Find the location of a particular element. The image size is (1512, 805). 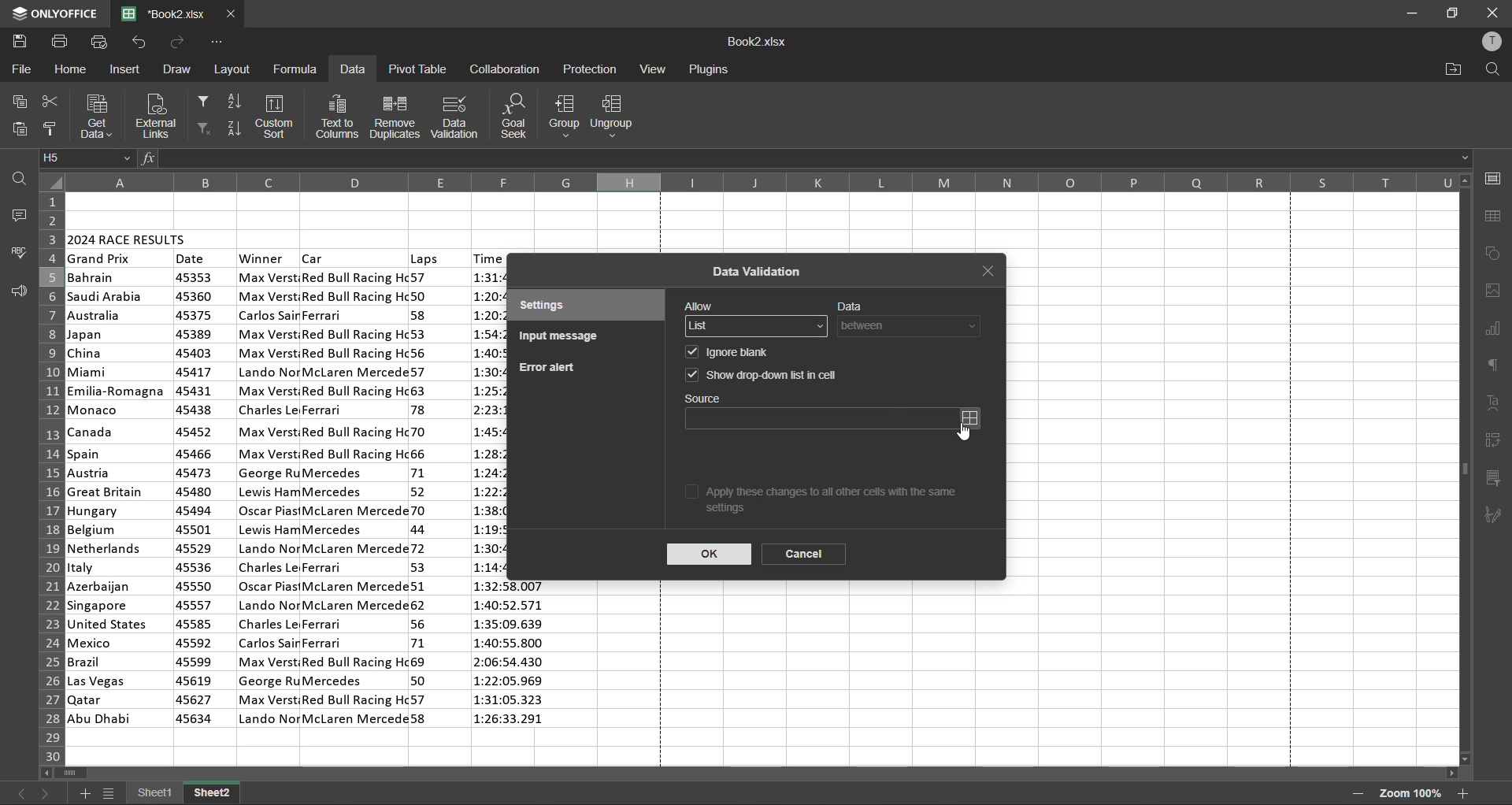

filename is located at coordinates (757, 43).